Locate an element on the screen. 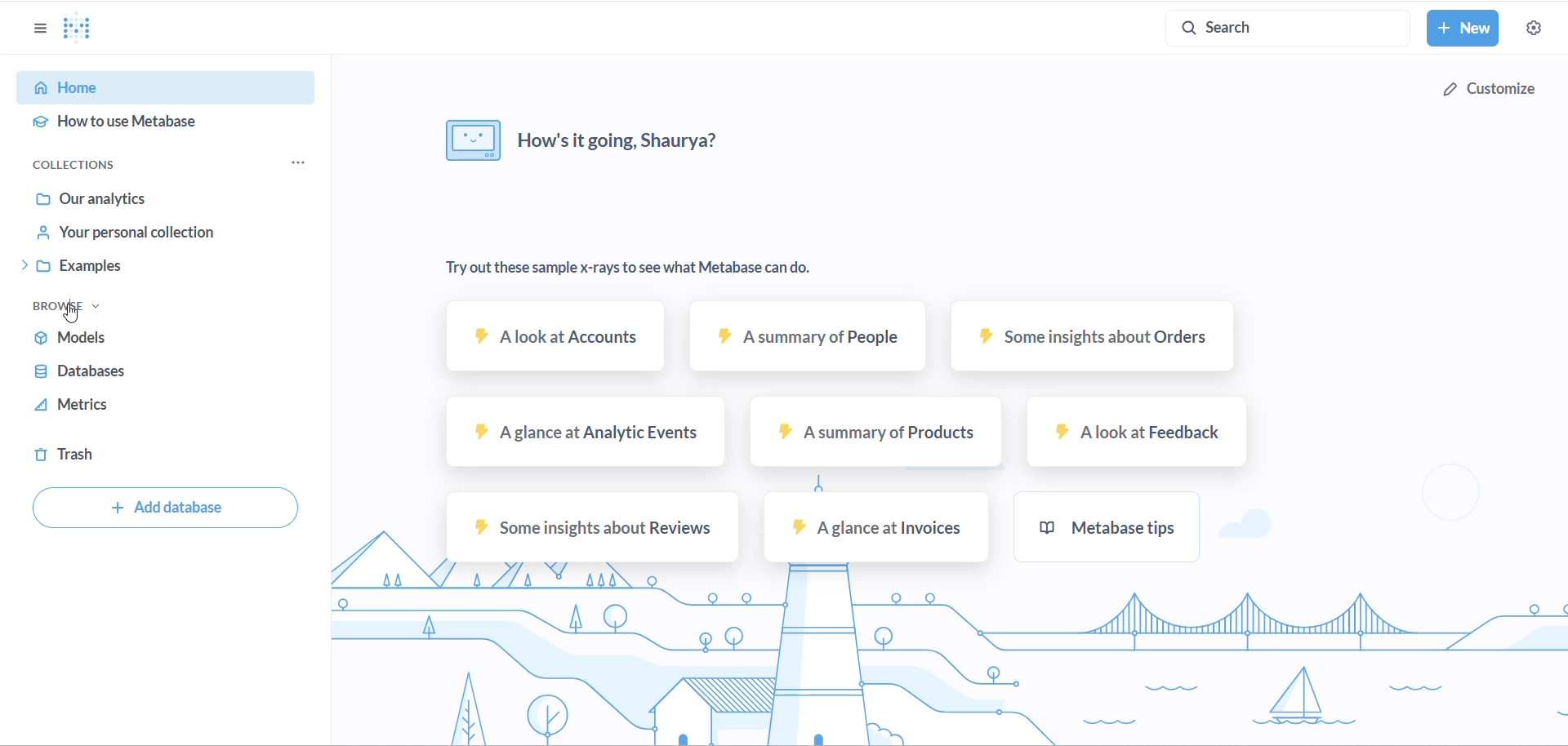 This screenshot has height=746, width=1568. OUR ANALYTICS is located at coordinates (158, 200).